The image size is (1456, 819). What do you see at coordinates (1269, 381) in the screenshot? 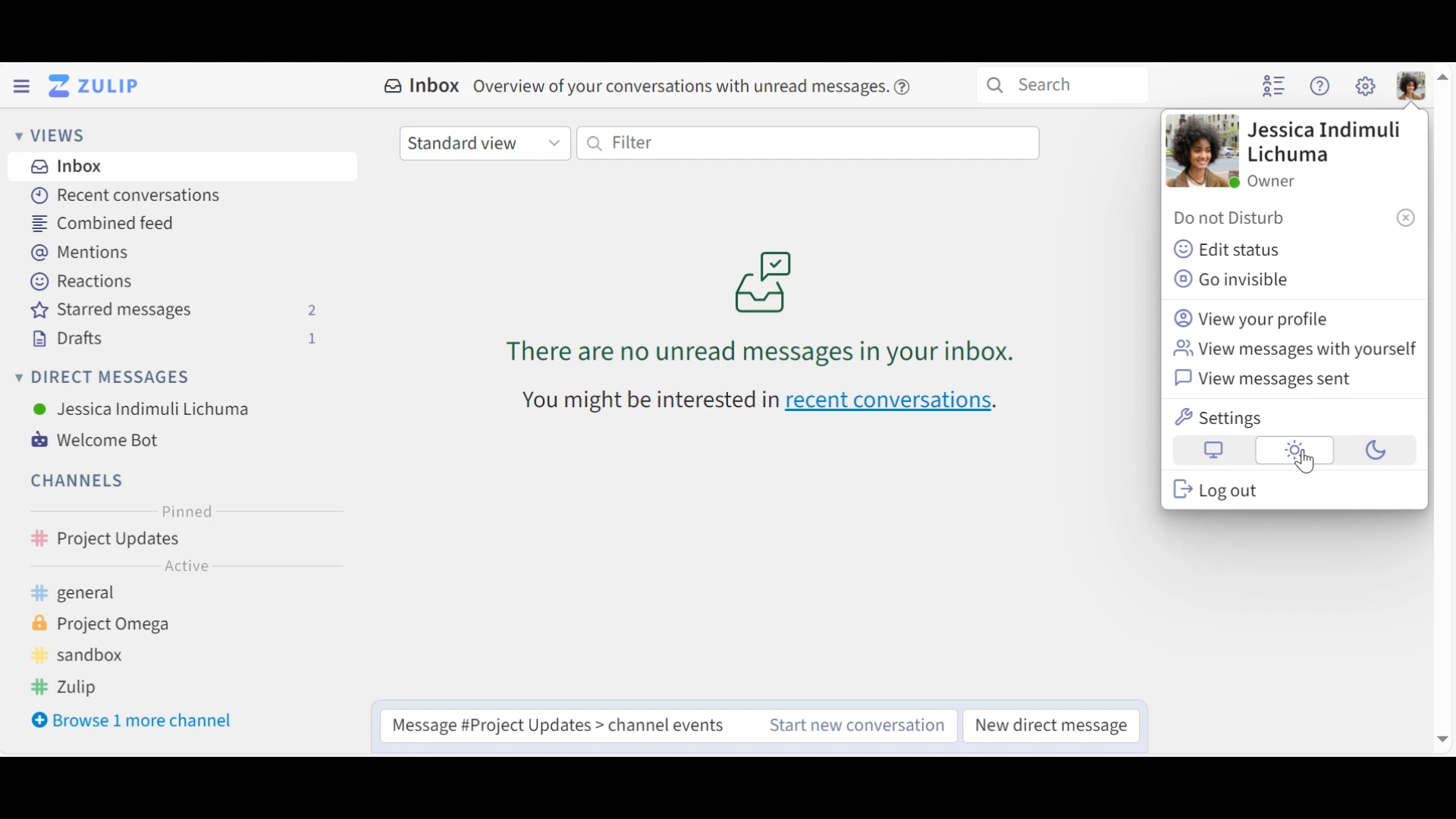
I see `View messages sent` at bounding box center [1269, 381].